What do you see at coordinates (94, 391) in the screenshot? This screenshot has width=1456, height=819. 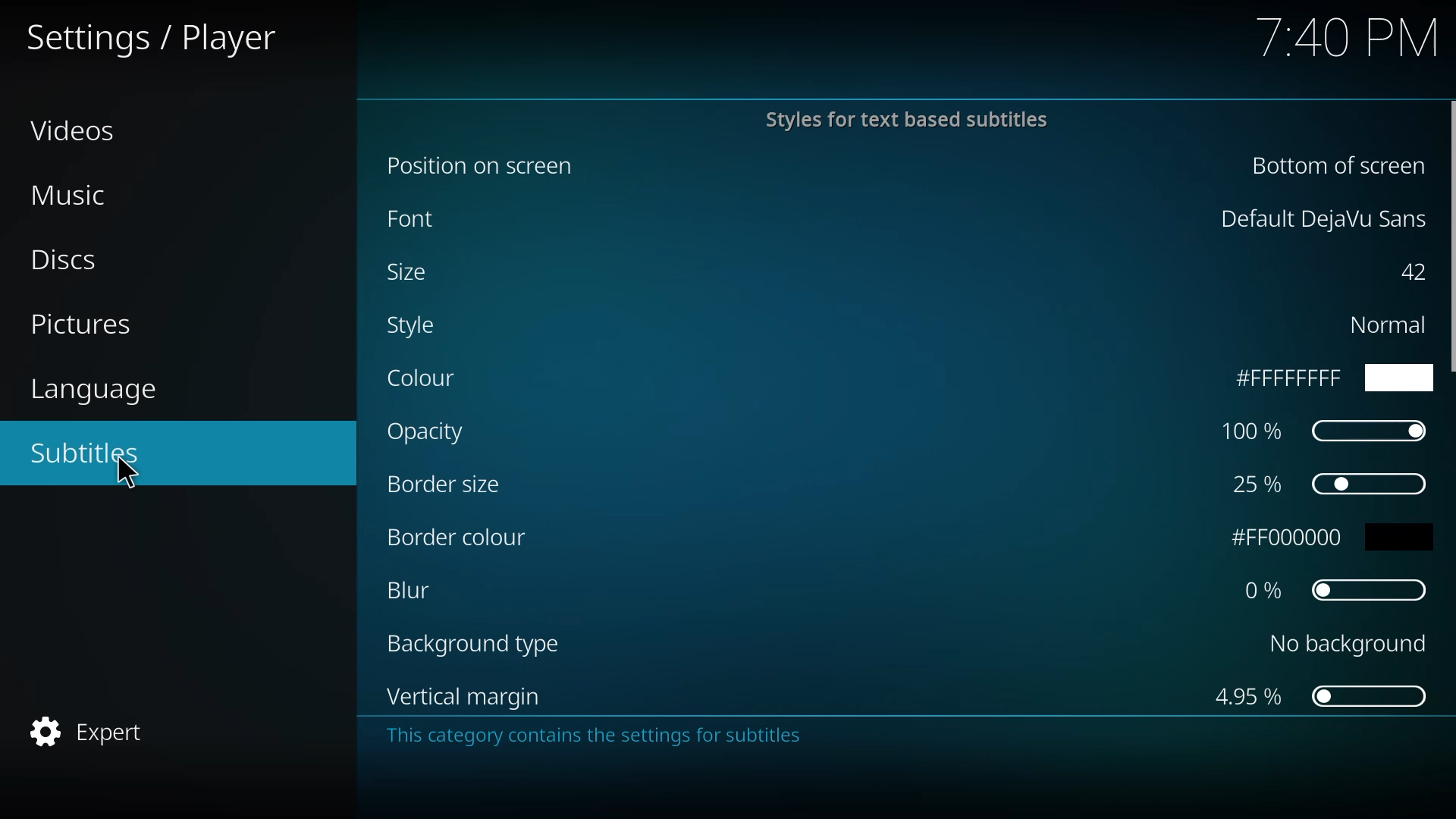 I see `language` at bounding box center [94, 391].